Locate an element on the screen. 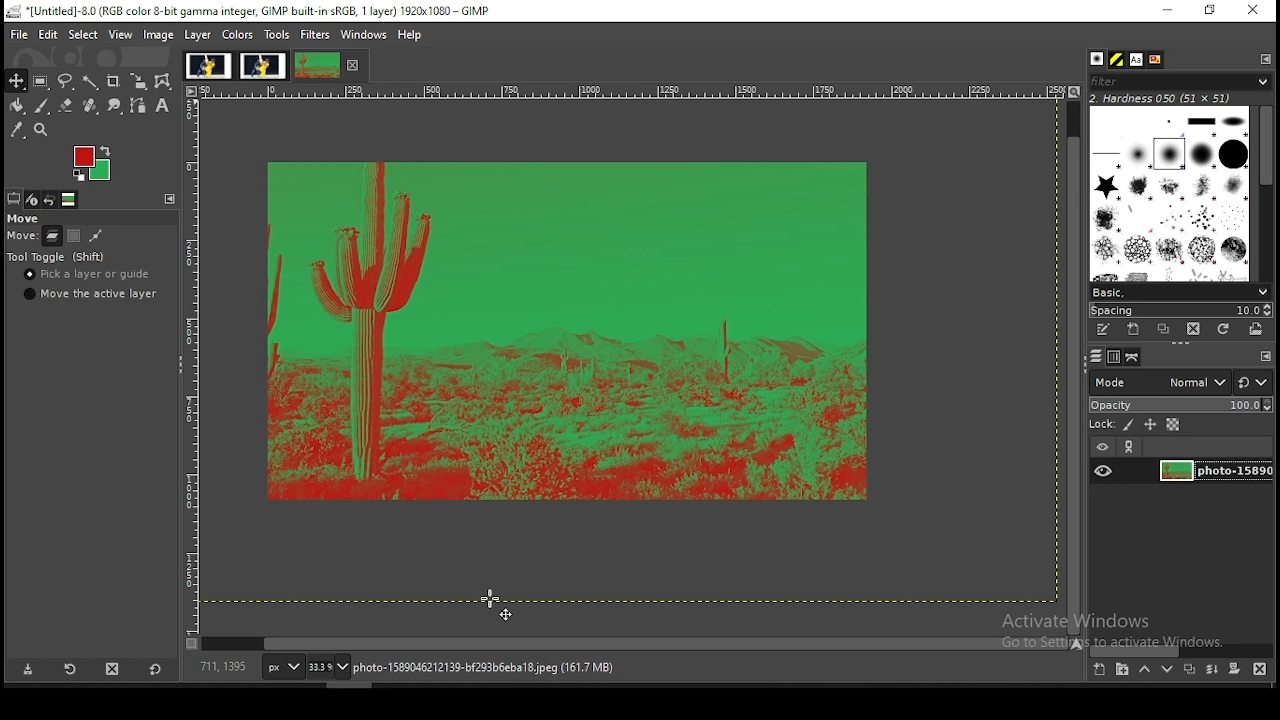 This screenshot has height=720, width=1280. configure this pane is located at coordinates (1264, 356).